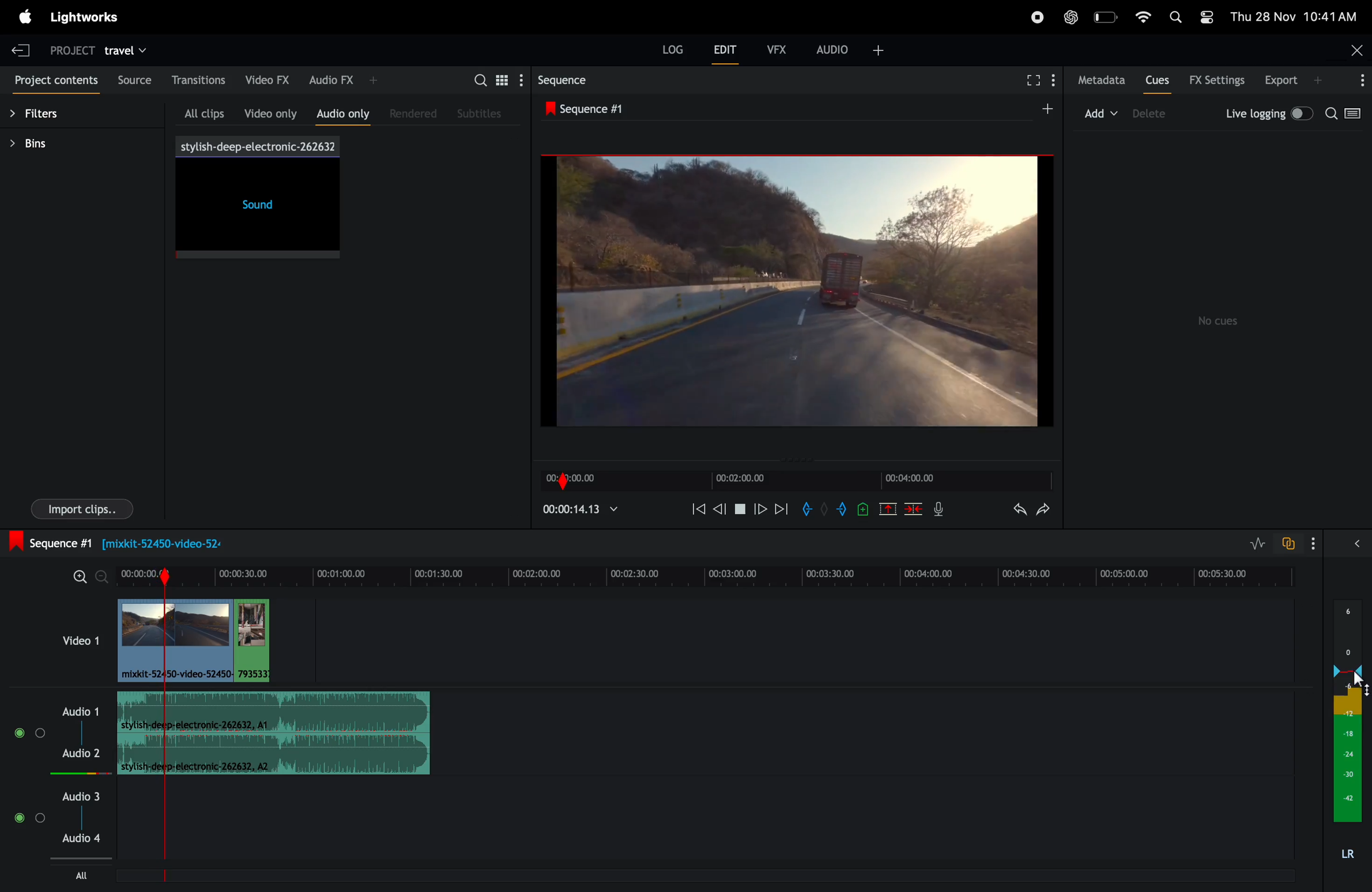  Describe the element at coordinates (49, 113) in the screenshot. I see `filters` at that location.